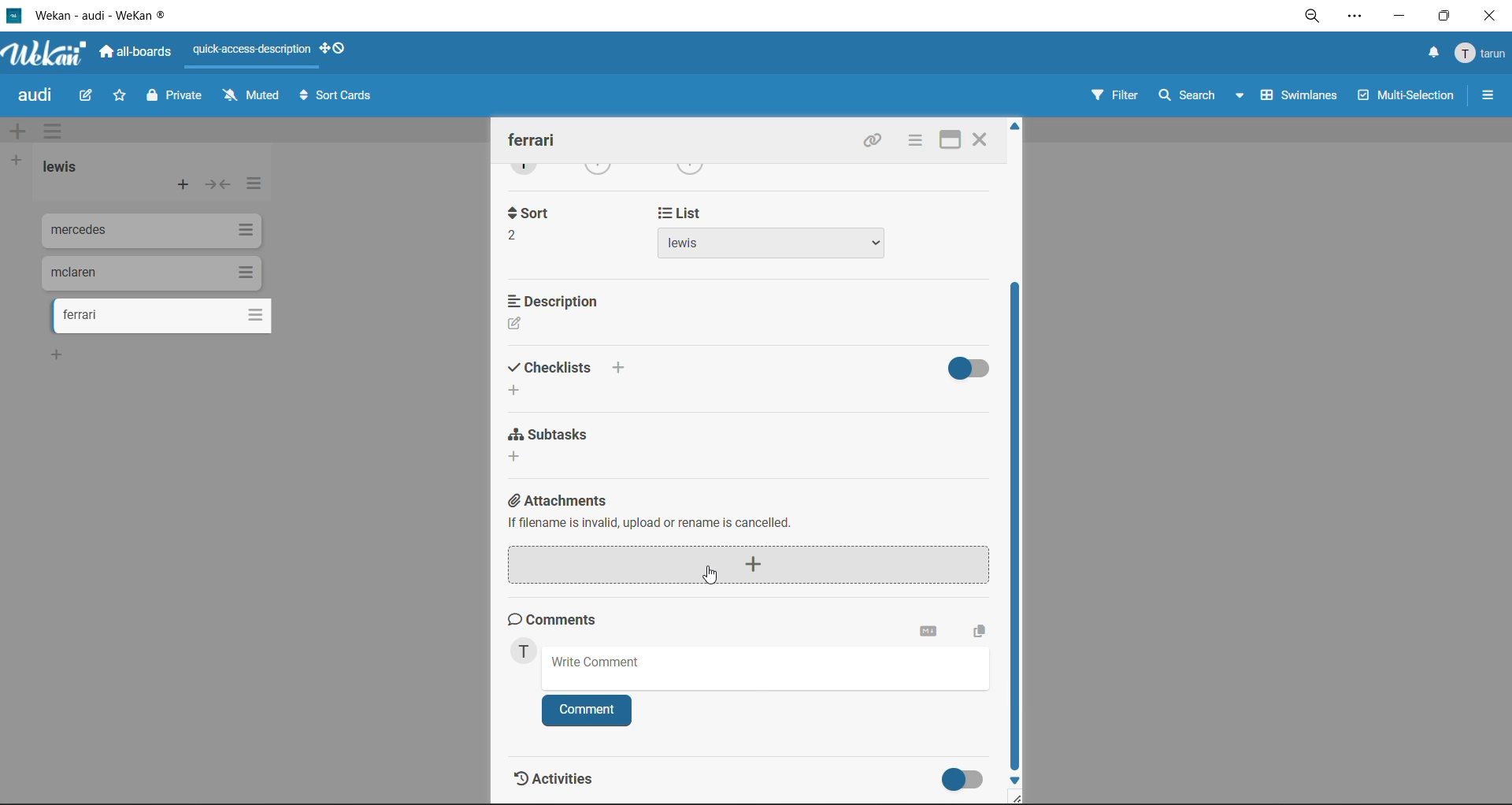 The width and height of the screenshot is (1512, 805). Describe the element at coordinates (984, 629) in the screenshot. I see `copy` at that location.